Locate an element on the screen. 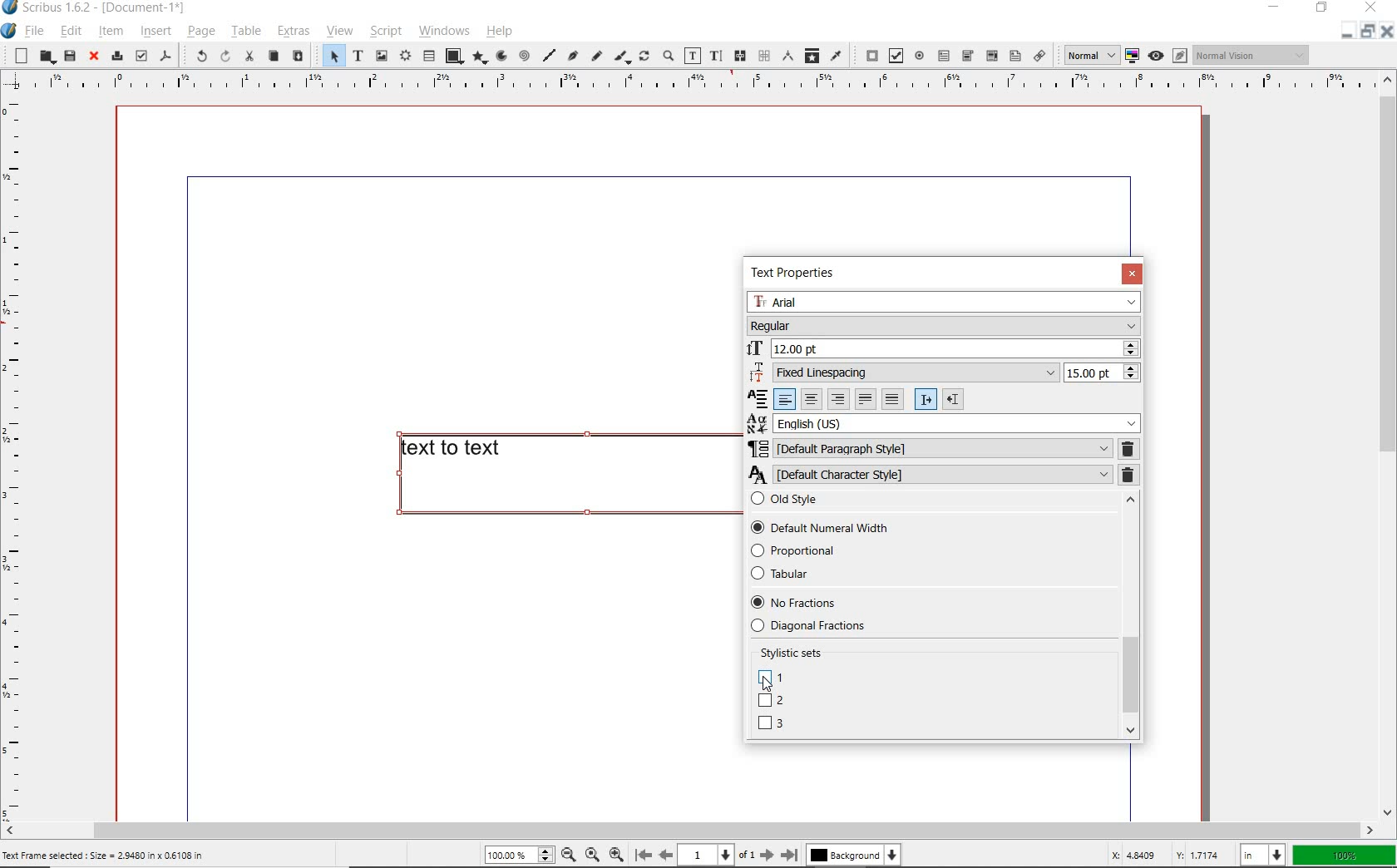 Image resolution: width=1397 pixels, height=868 pixels. line is located at coordinates (548, 55).